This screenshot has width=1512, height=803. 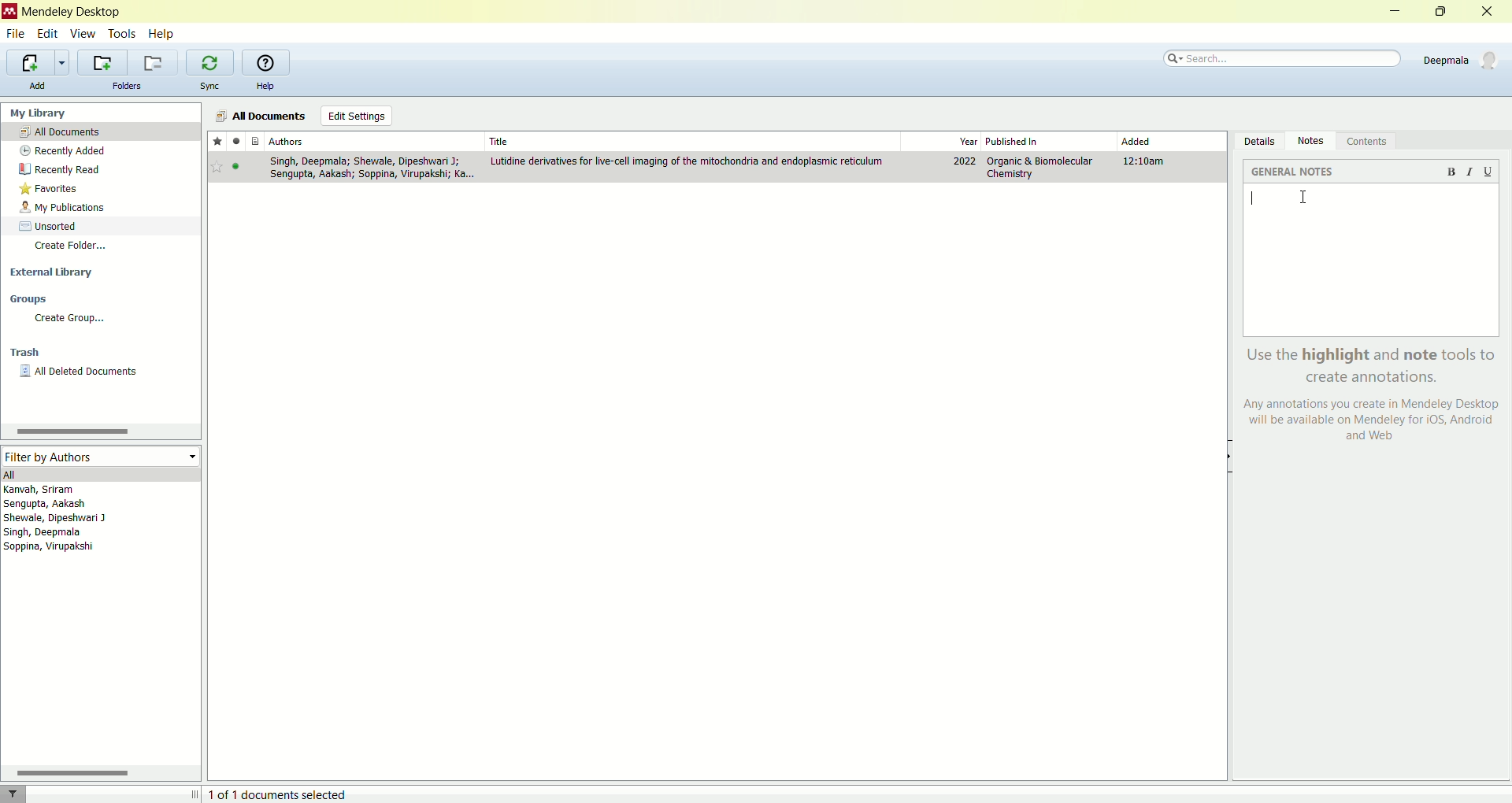 What do you see at coordinates (98, 168) in the screenshot?
I see `recently read` at bounding box center [98, 168].